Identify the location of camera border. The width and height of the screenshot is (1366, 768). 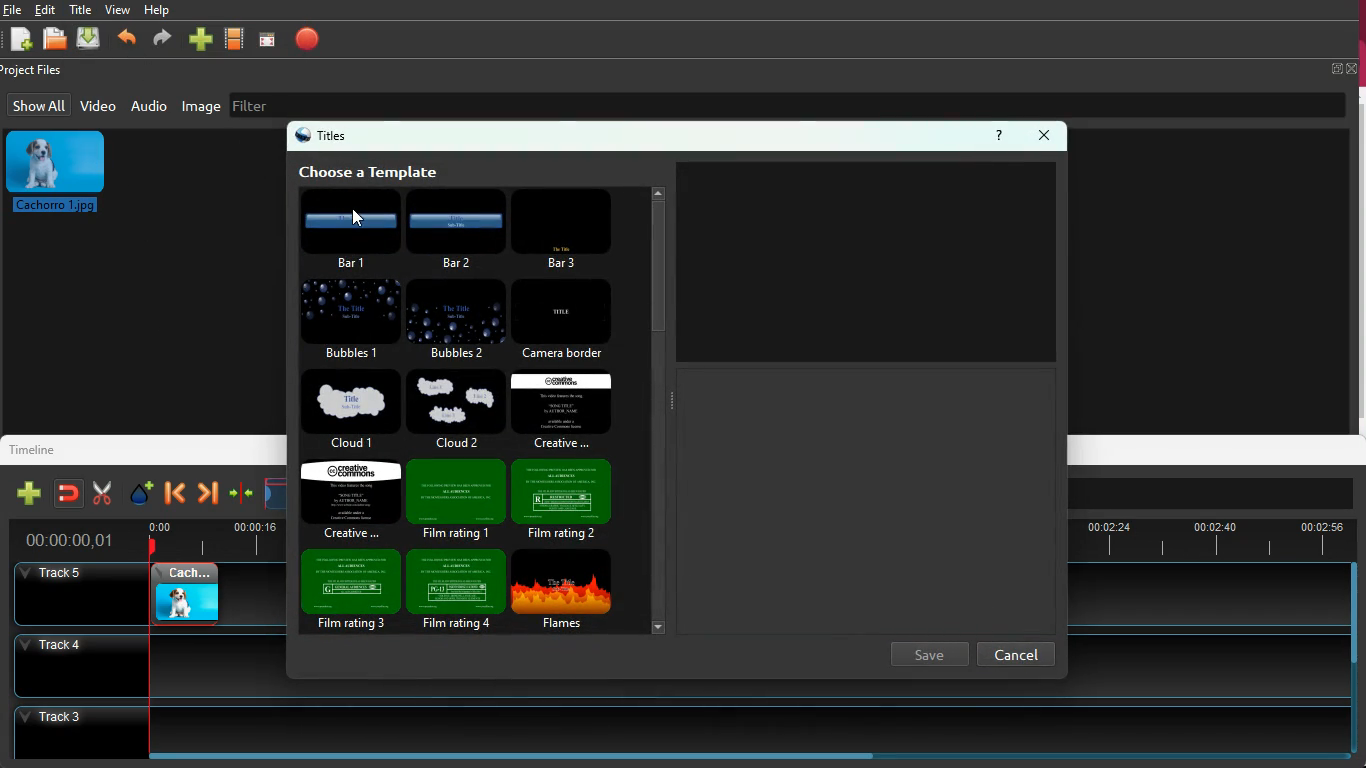
(561, 321).